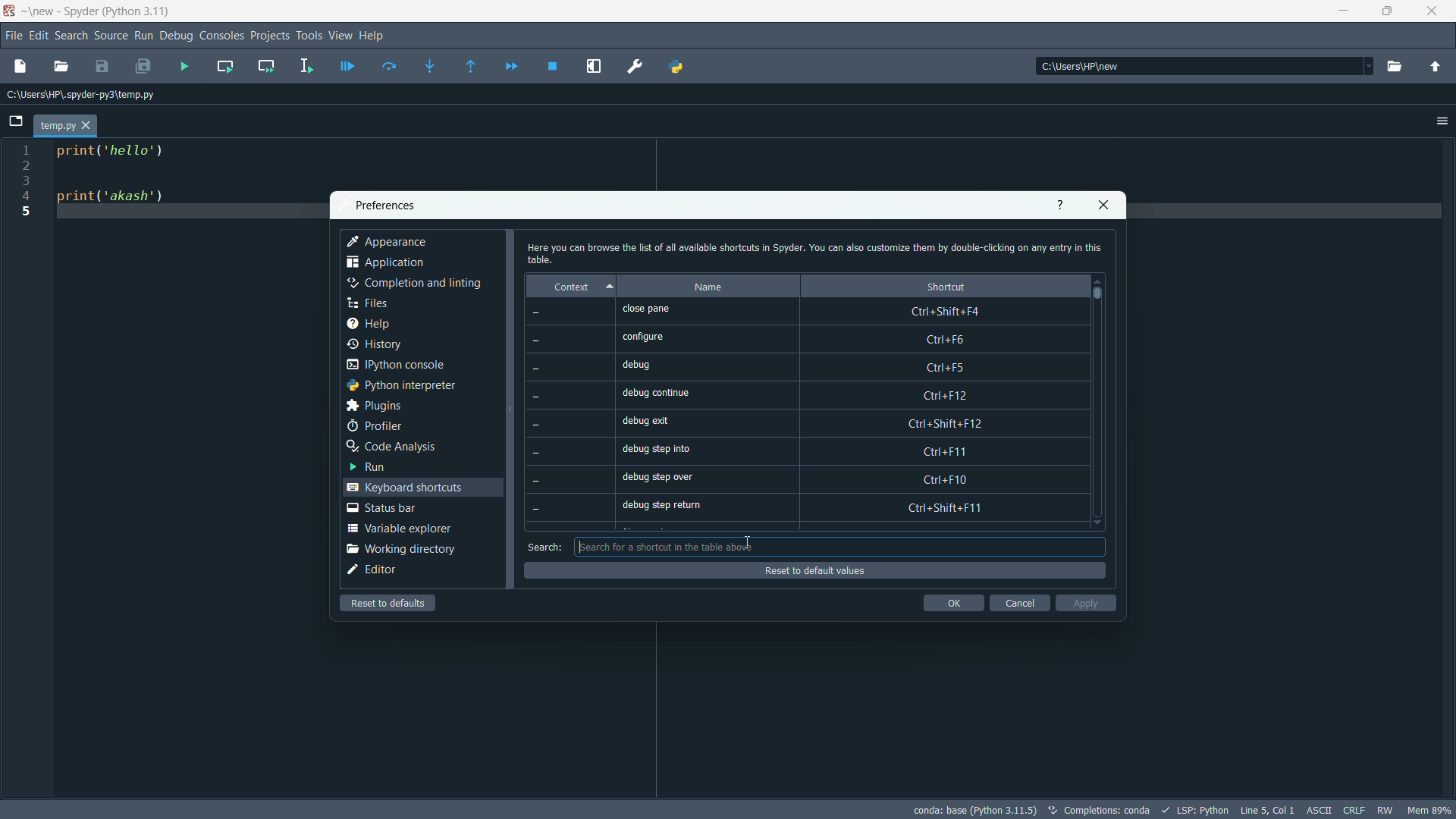 Image resolution: width=1456 pixels, height=819 pixels. I want to click on files, so click(370, 303).